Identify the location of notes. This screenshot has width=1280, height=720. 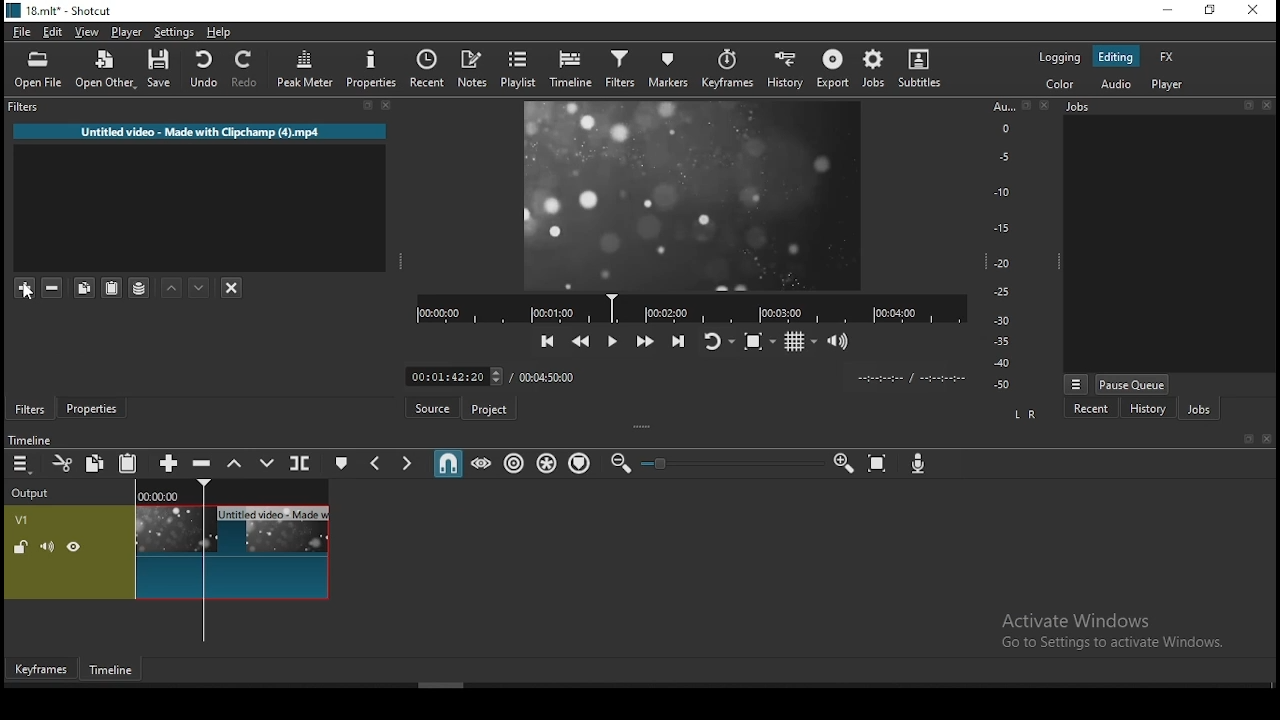
(473, 70).